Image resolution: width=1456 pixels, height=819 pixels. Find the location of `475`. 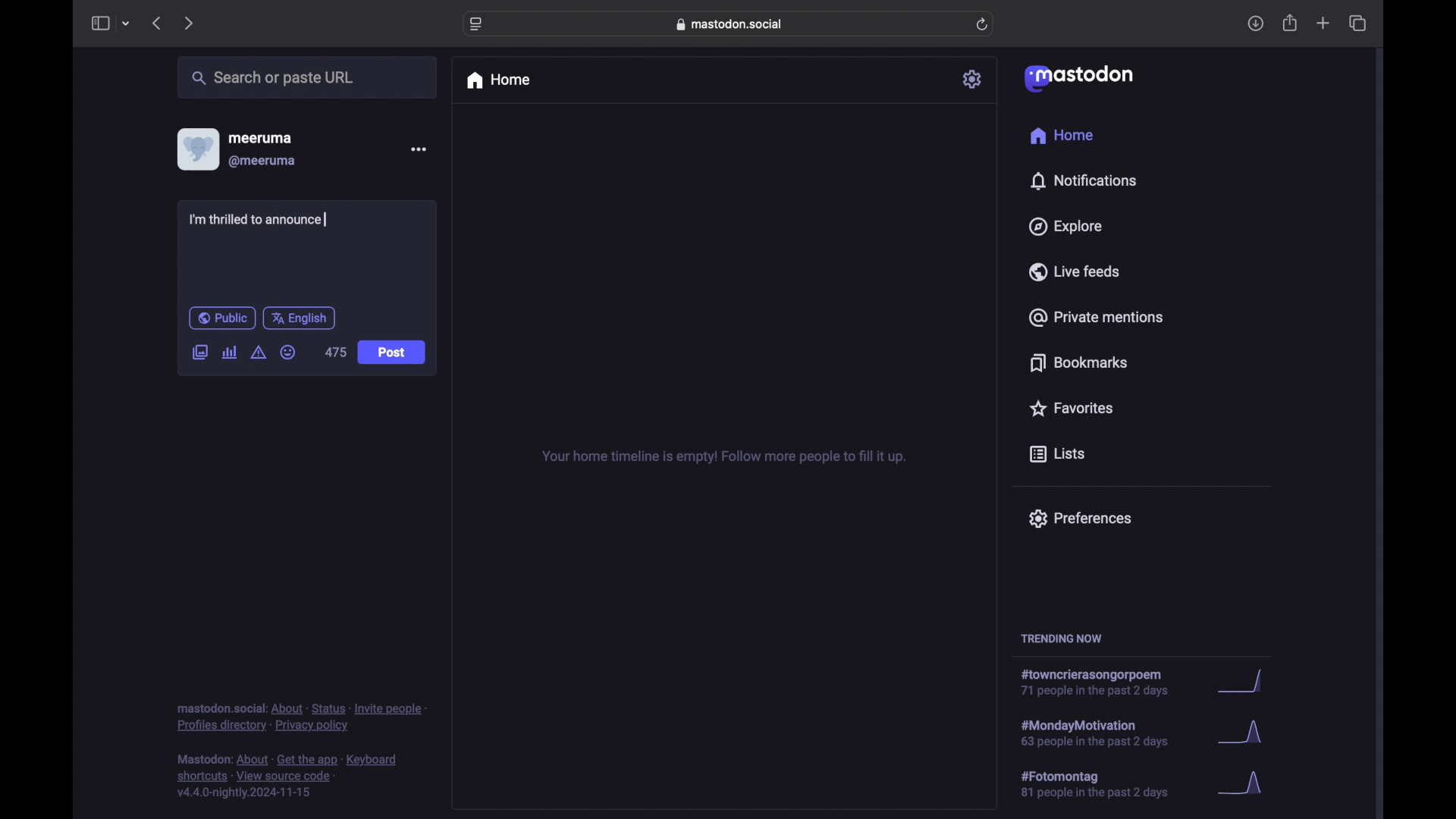

475 is located at coordinates (335, 352).